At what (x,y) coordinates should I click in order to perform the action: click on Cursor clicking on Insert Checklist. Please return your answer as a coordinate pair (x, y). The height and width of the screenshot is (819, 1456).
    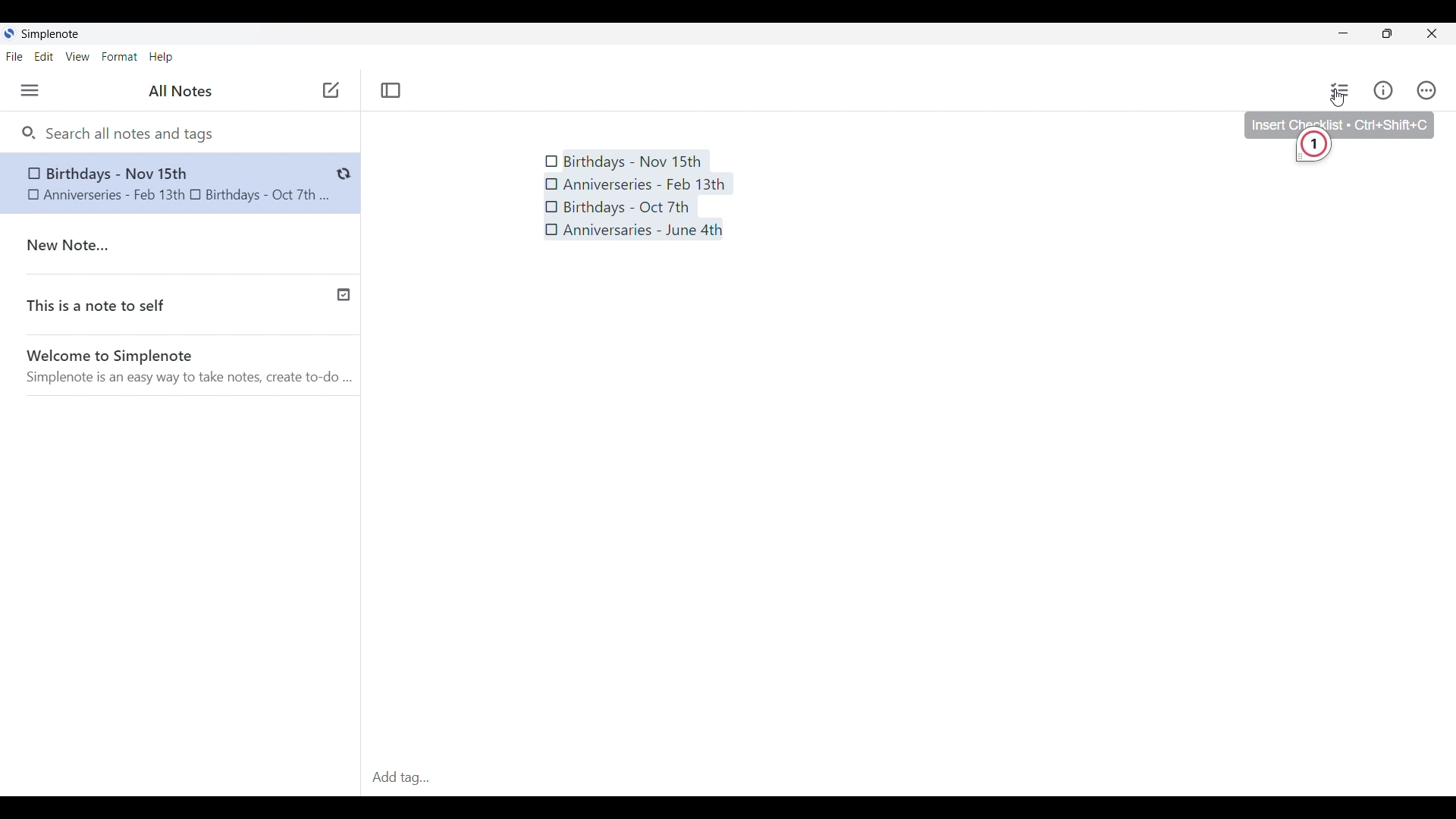
    Looking at the image, I should click on (1338, 98).